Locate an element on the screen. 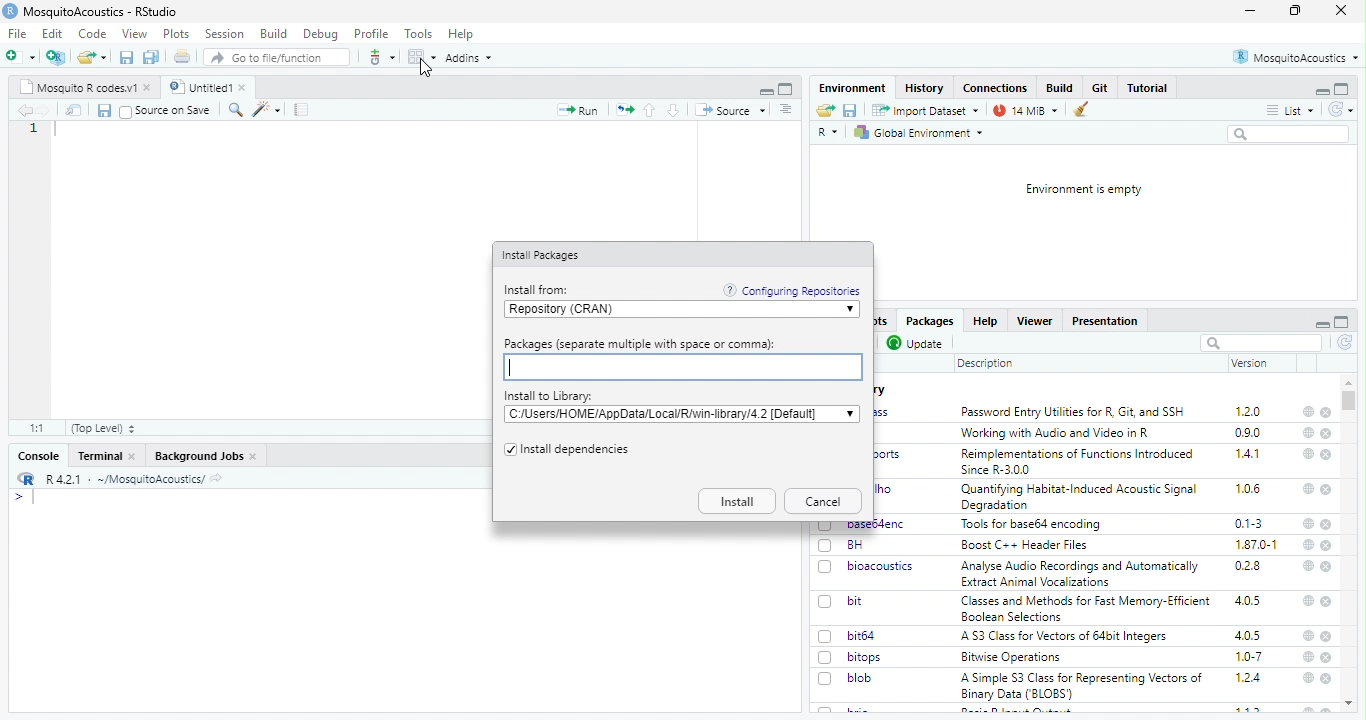 This screenshot has width=1366, height=720. typing indicator is located at coordinates (34, 498).